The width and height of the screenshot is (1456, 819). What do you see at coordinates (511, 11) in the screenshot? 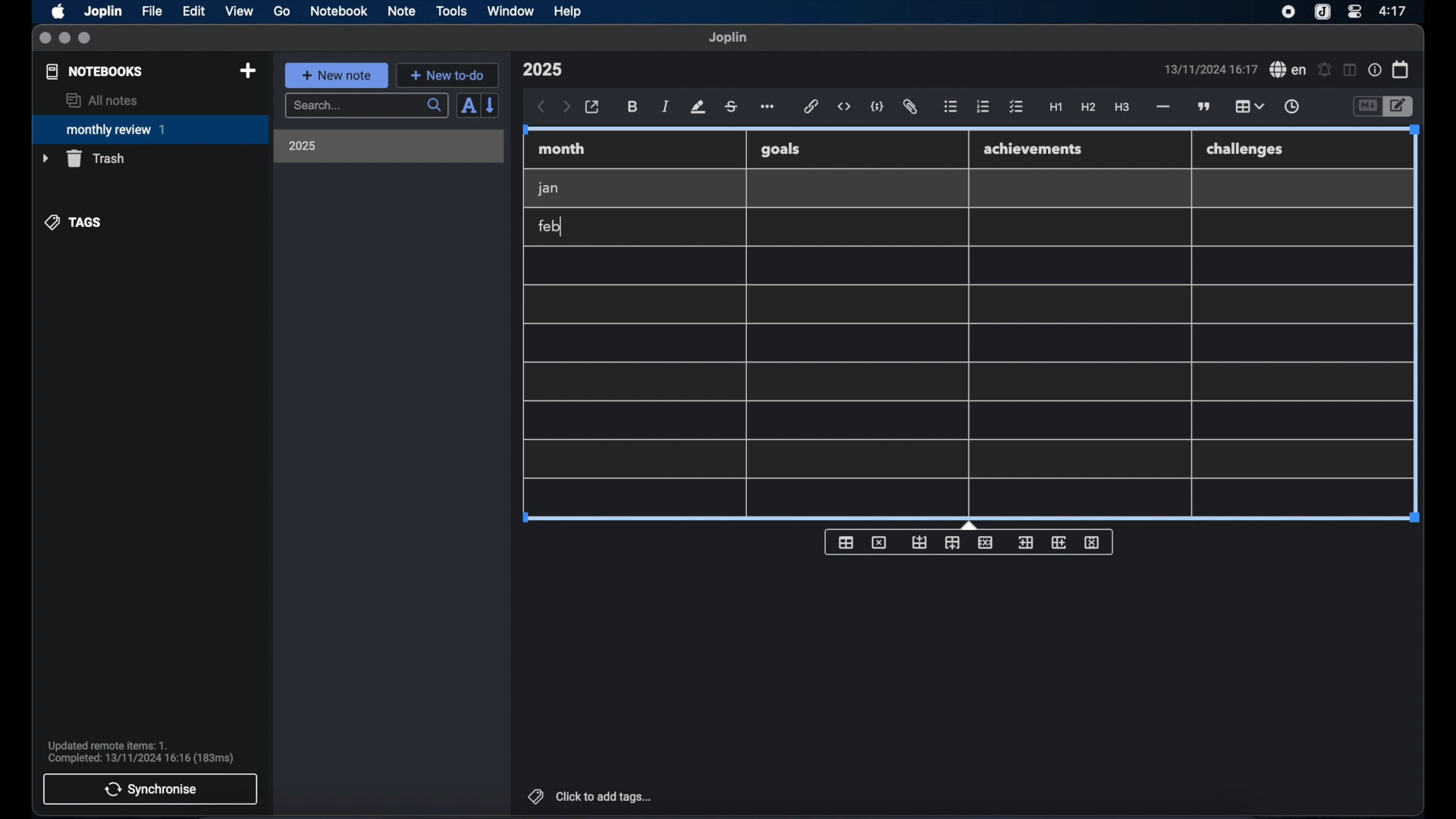
I see `window` at bounding box center [511, 11].